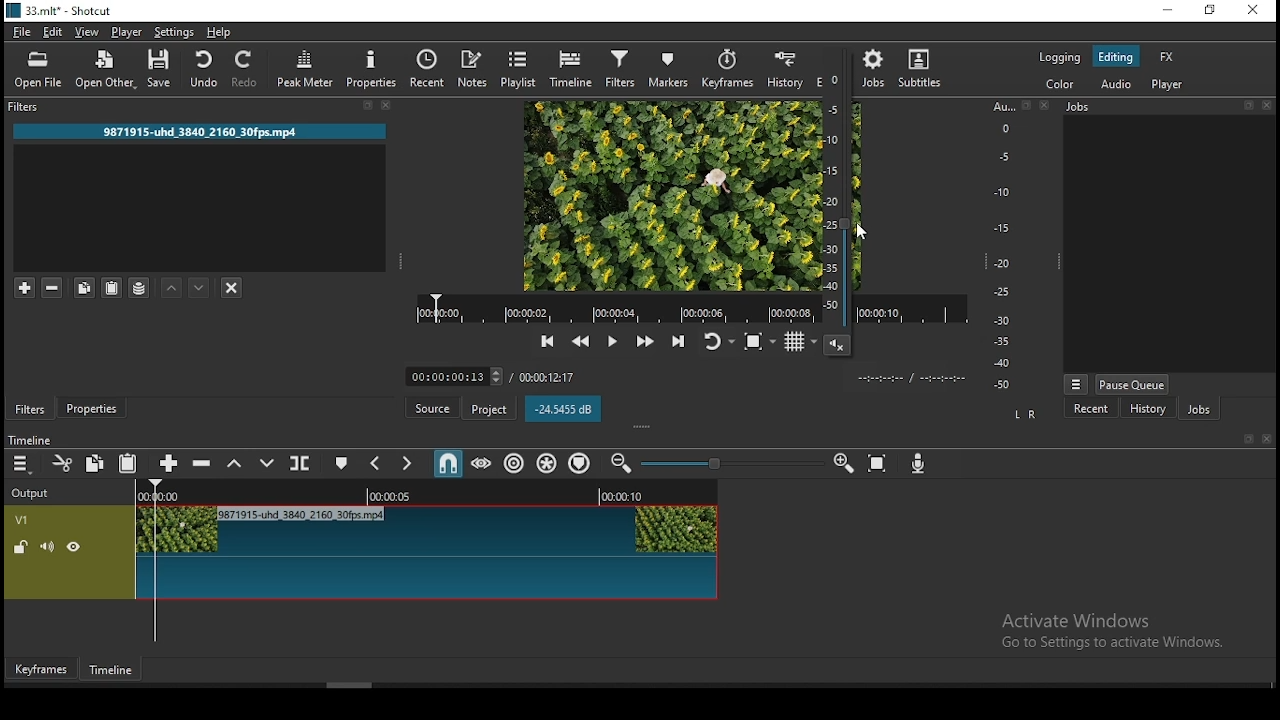  Describe the element at coordinates (547, 341) in the screenshot. I see `skip to previous point` at that location.